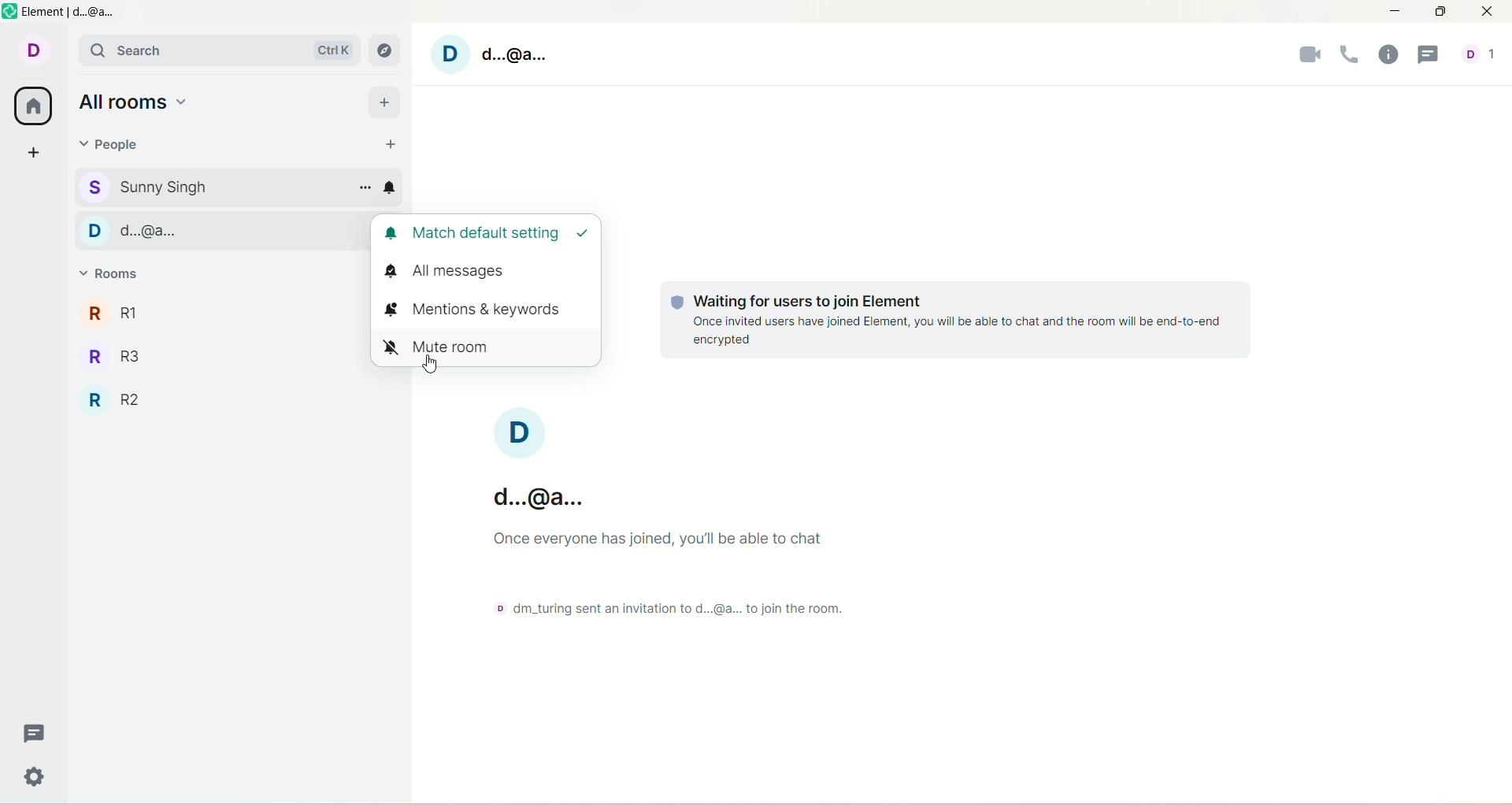 Image resolution: width=1512 pixels, height=805 pixels. What do you see at coordinates (213, 187) in the screenshot?
I see `sunny singh` at bounding box center [213, 187].